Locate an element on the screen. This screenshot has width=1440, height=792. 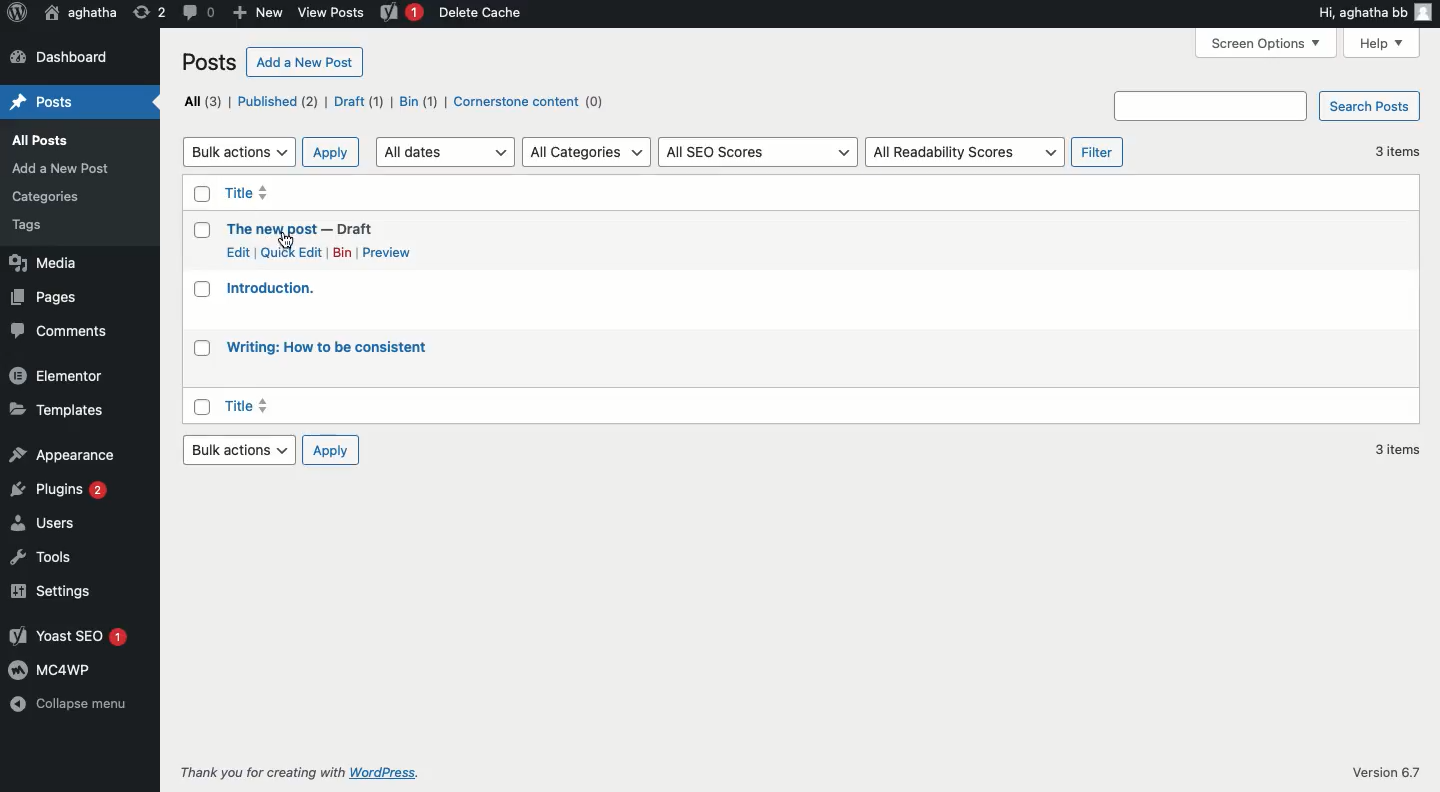
Draft is located at coordinates (358, 102).